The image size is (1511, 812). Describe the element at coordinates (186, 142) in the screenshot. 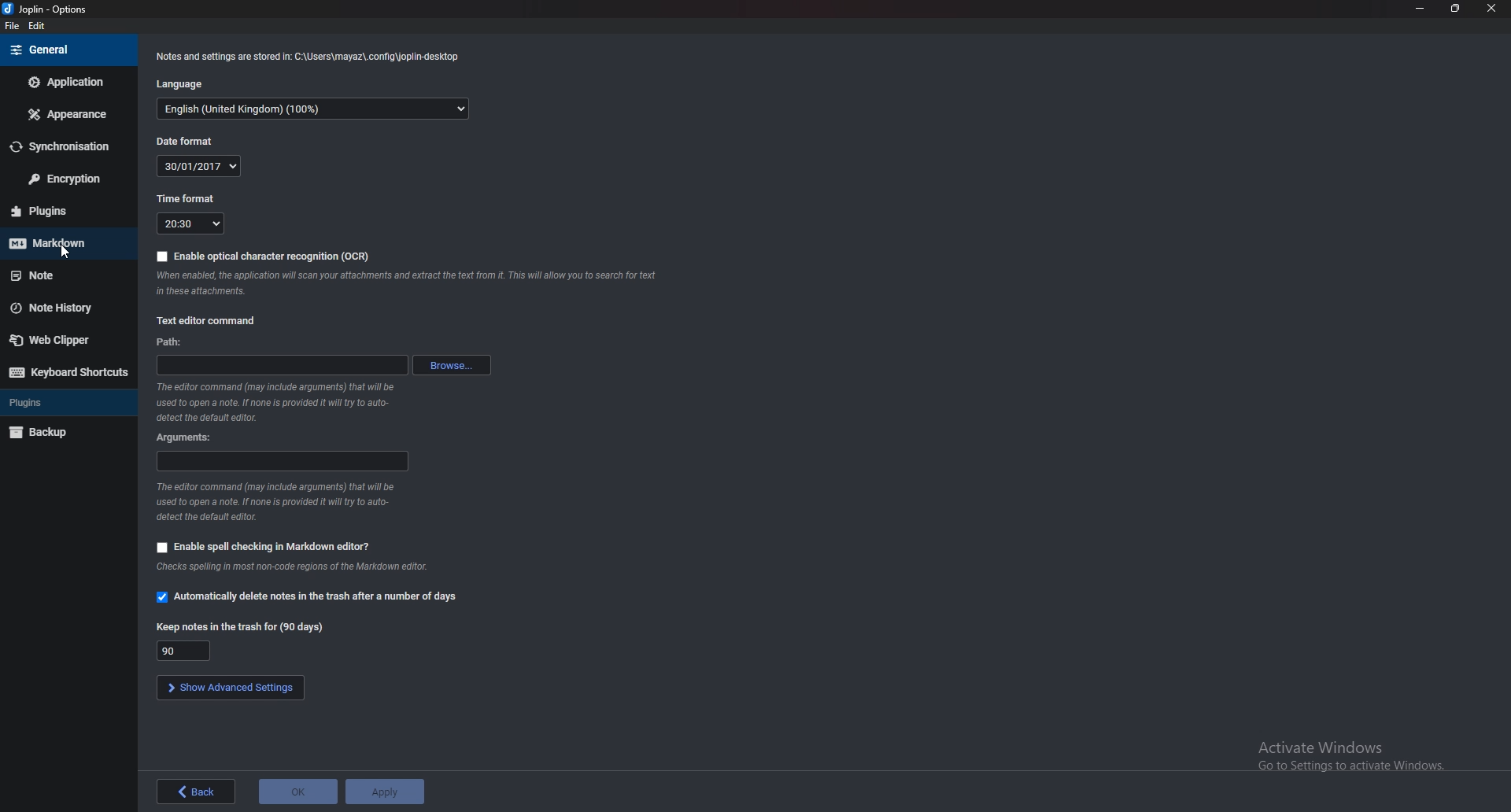

I see `Date format` at that location.